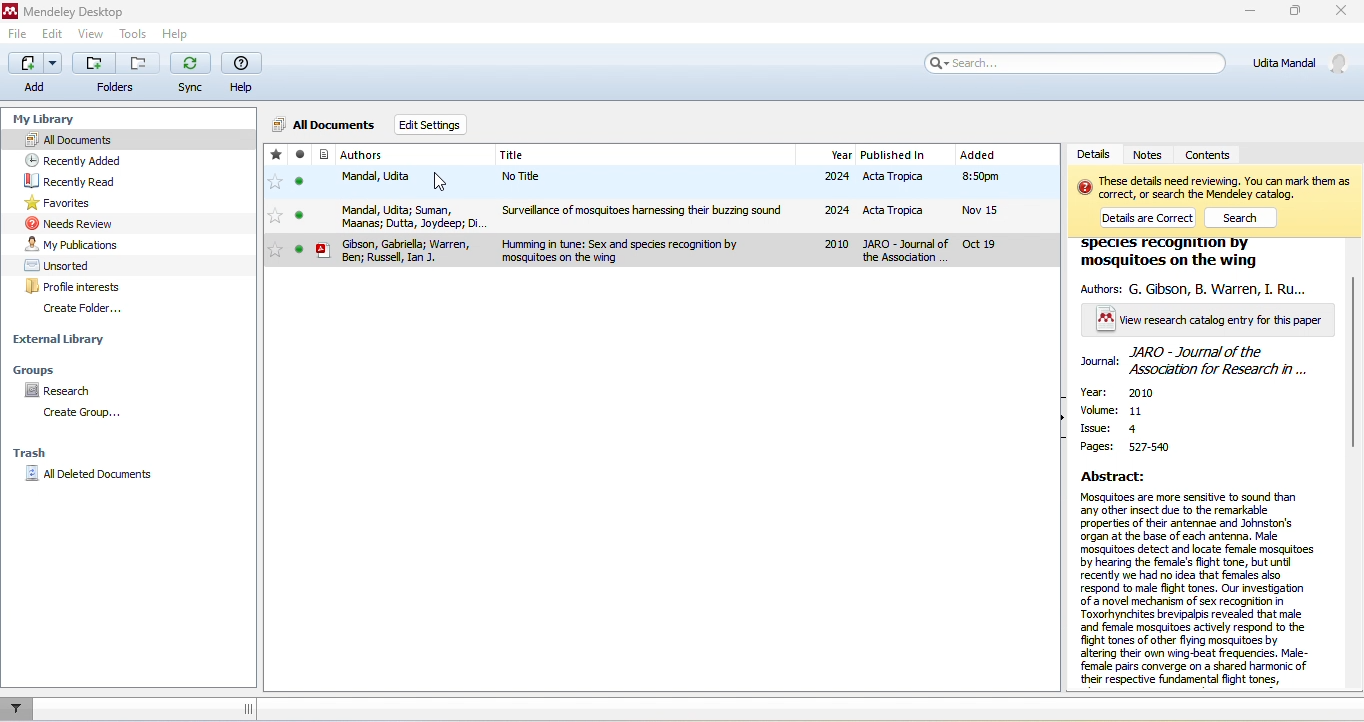  I want to click on search bar, so click(1074, 62).